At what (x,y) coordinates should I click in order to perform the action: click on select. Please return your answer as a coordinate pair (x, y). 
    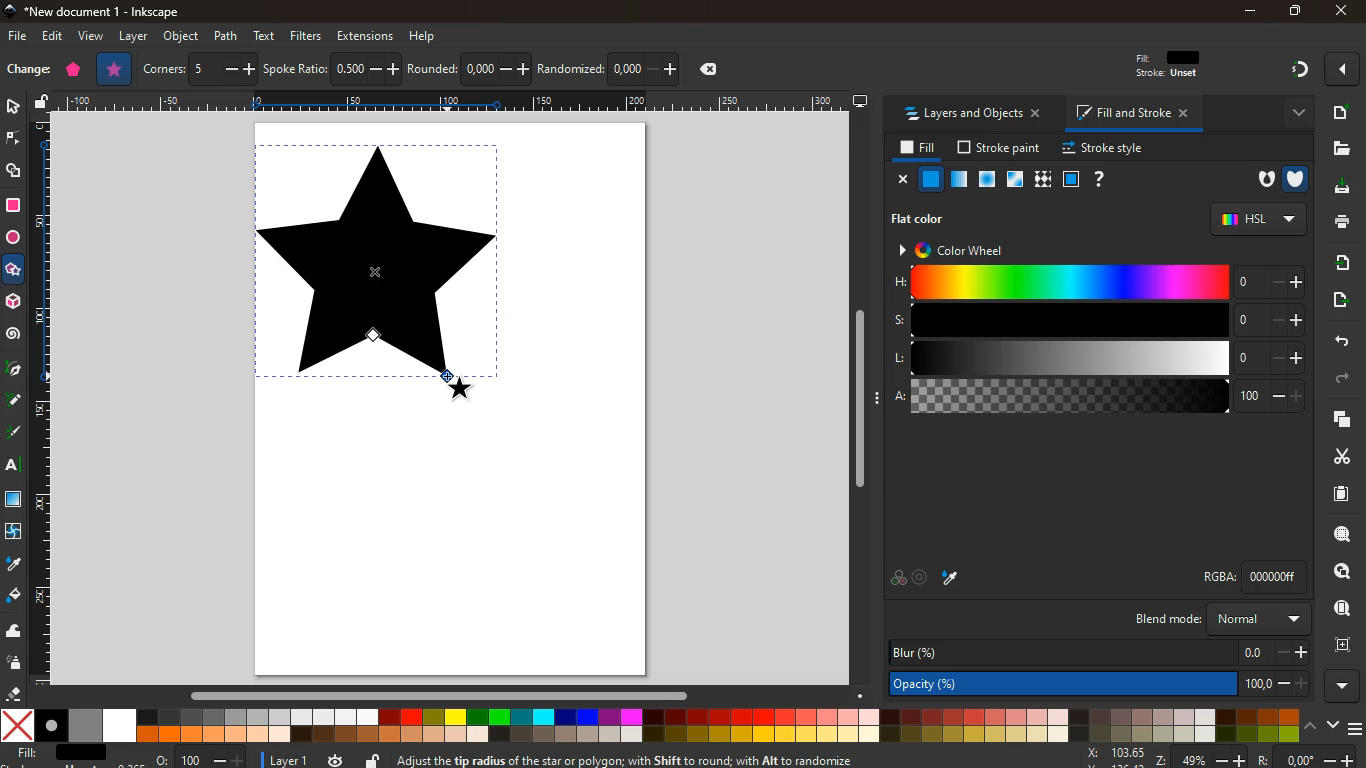
    Looking at the image, I should click on (15, 109).